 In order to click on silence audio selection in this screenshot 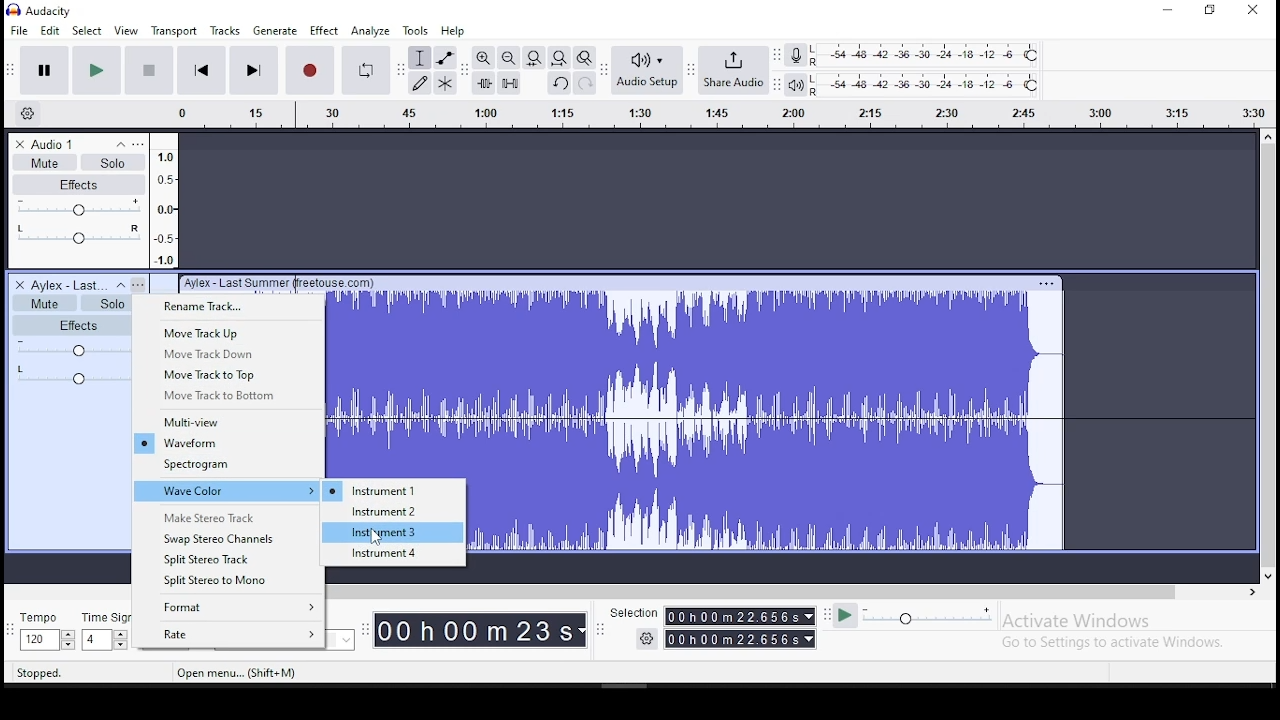, I will do `click(509, 82)`.